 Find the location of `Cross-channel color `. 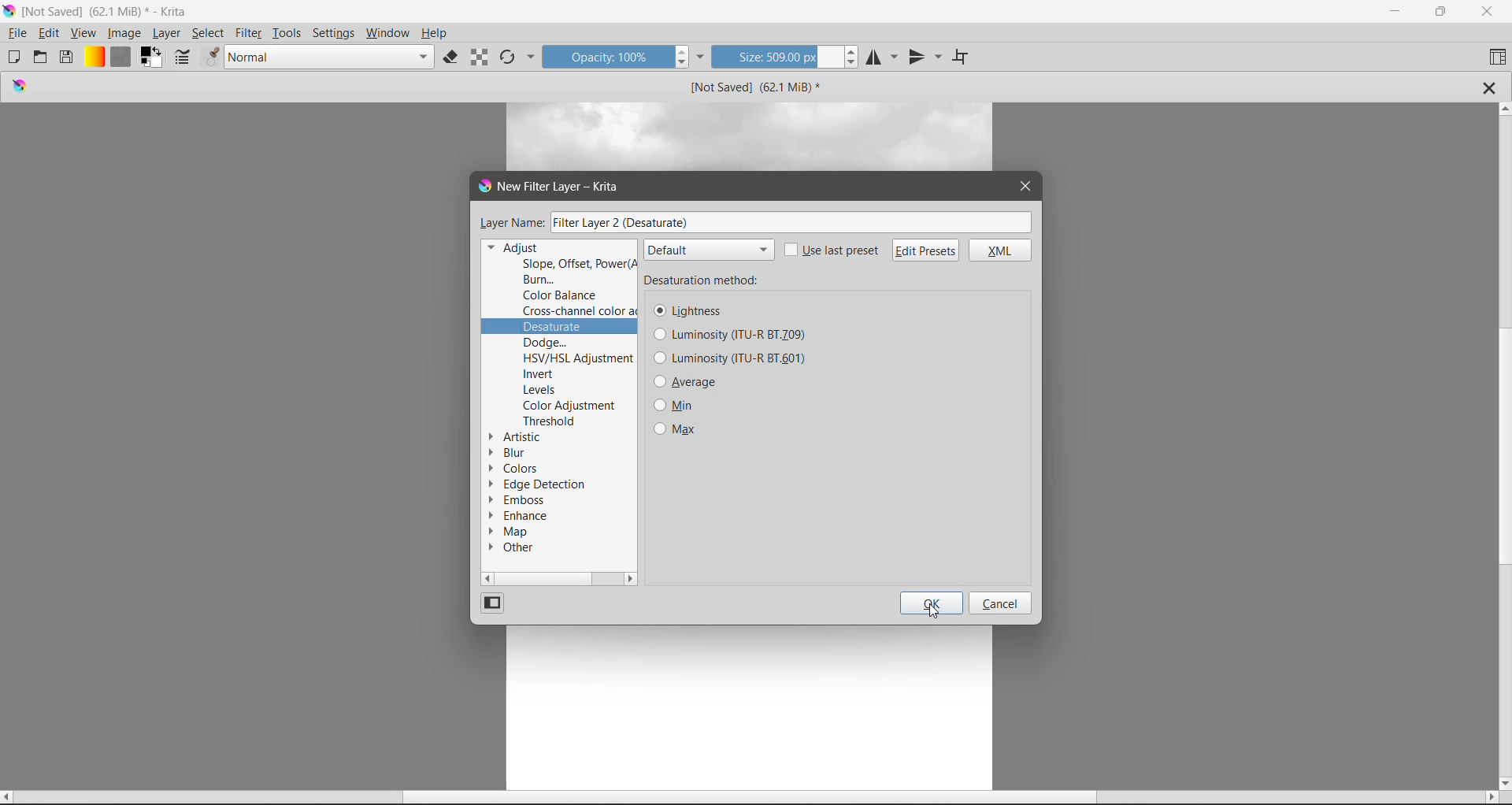

Cross-channel color  is located at coordinates (578, 312).